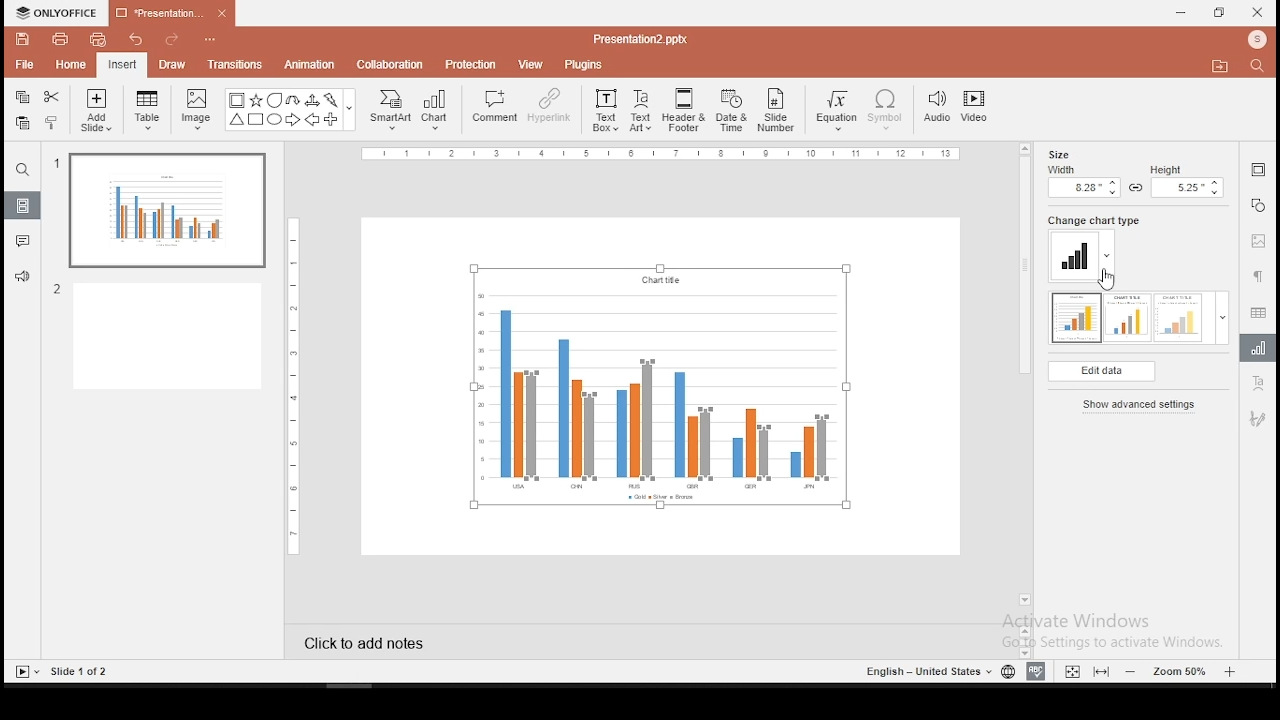 The image size is (1280, 720). I want to click on slide 1, so click(164, 212).